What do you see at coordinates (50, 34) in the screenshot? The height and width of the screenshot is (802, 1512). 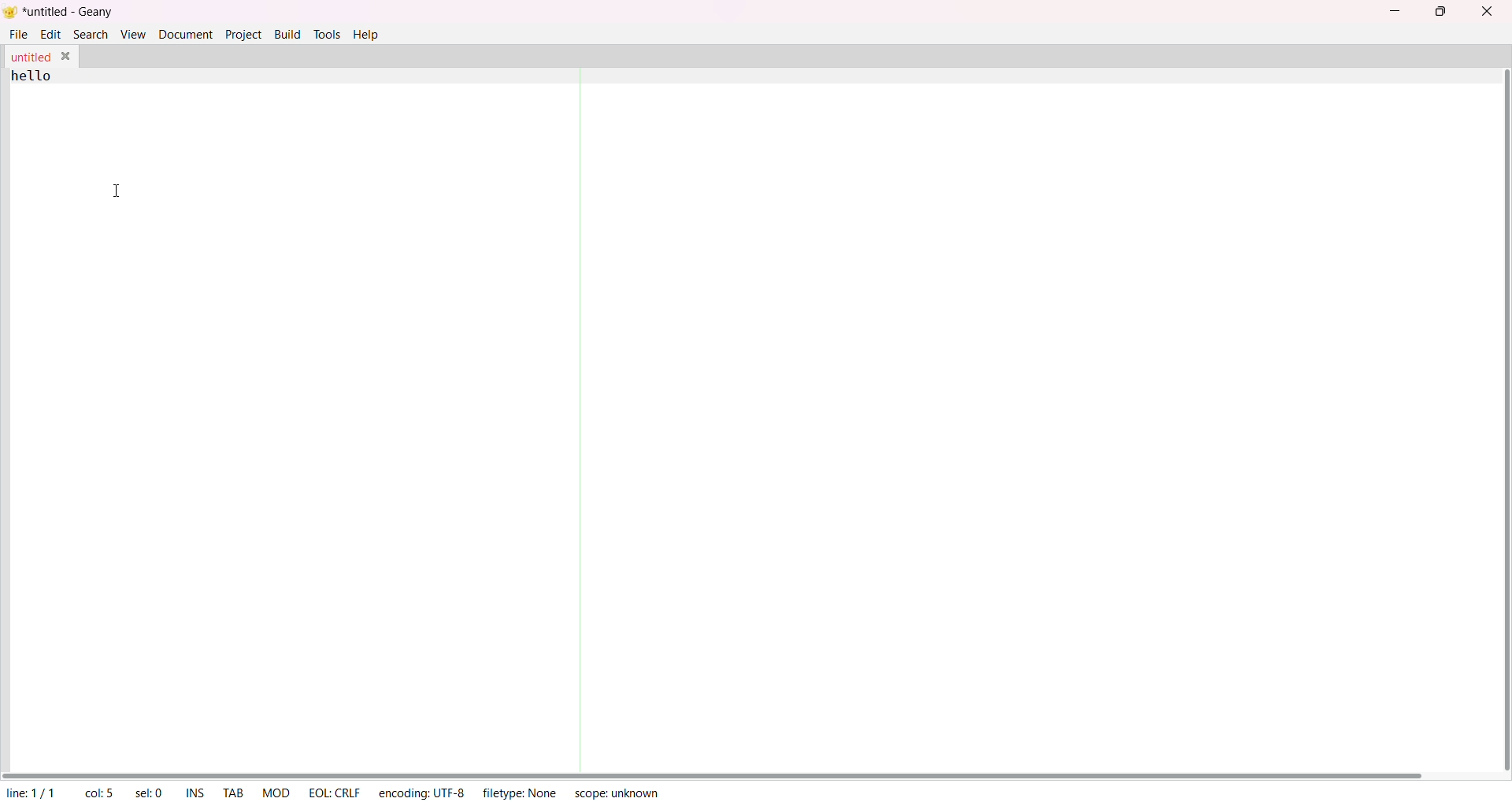 I see `edit` at bounding box center [50, 34].